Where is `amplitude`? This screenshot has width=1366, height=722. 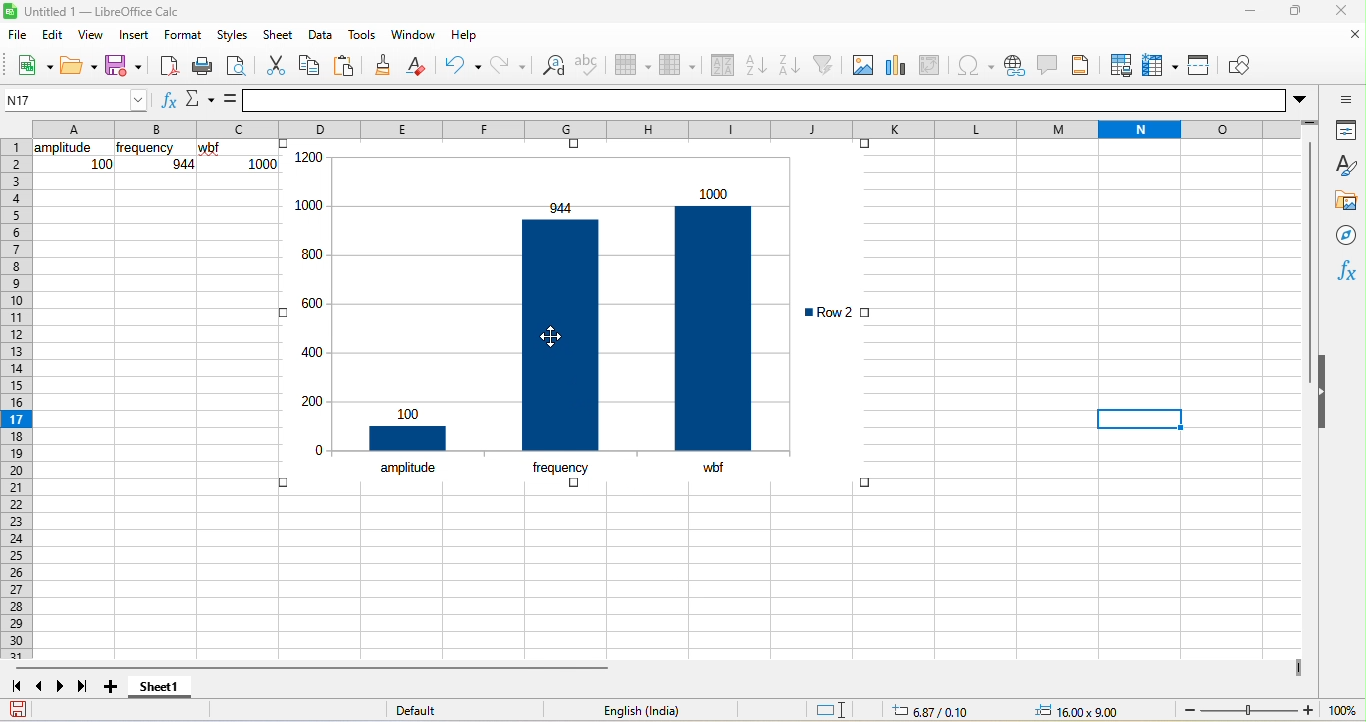 amplitude is located at coordinates (409, 467).